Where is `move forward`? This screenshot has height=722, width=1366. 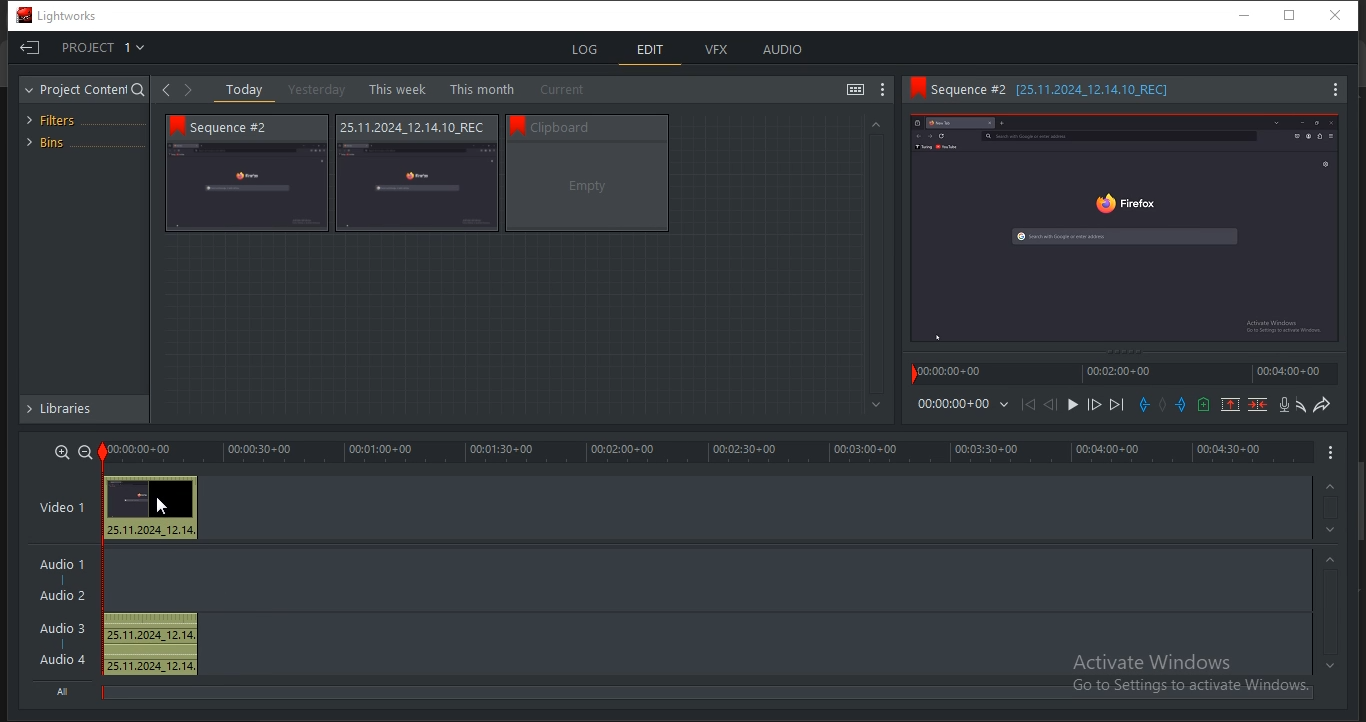
move forward is located at coordinates (1119, 405).